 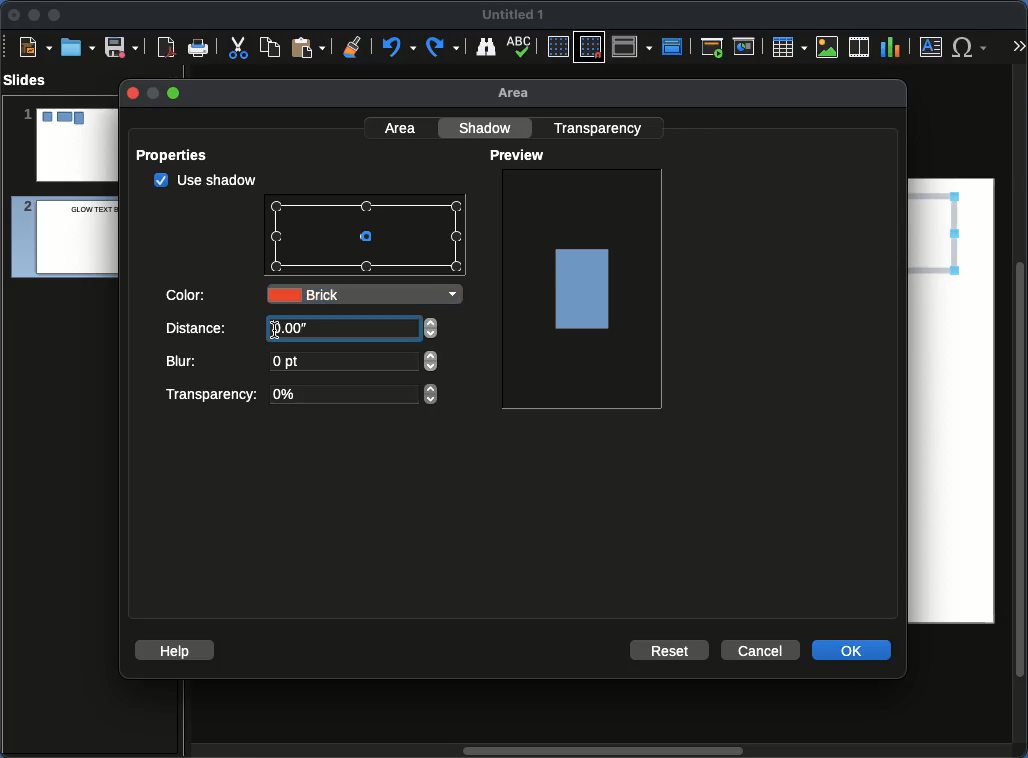 I want to click on text cursor, so click(x=272, y=335).